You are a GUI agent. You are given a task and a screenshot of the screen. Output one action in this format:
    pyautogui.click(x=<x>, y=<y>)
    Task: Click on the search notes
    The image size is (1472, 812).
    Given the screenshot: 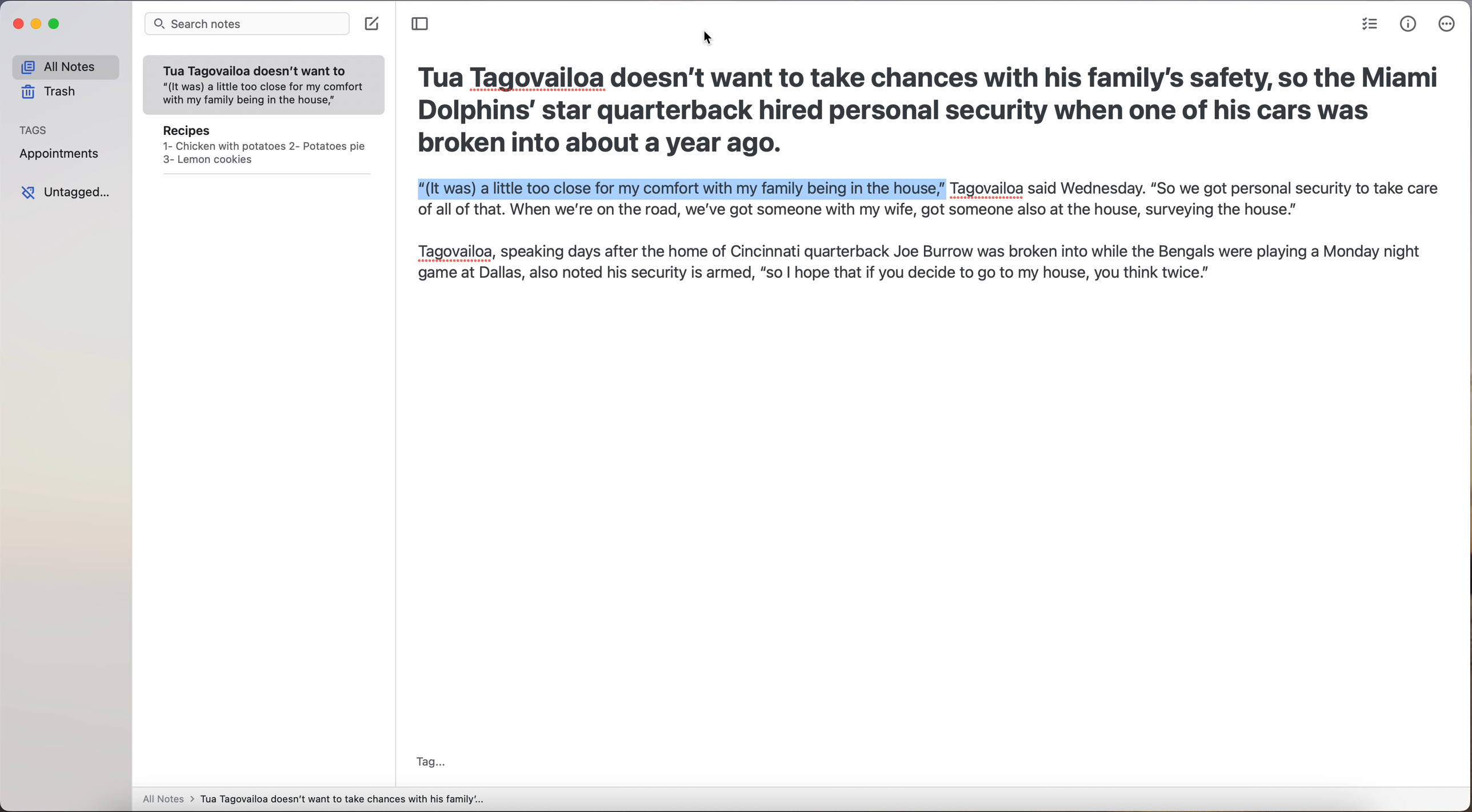 What is the action you would take?
    pyautogui.click(x=246, y=25)
    